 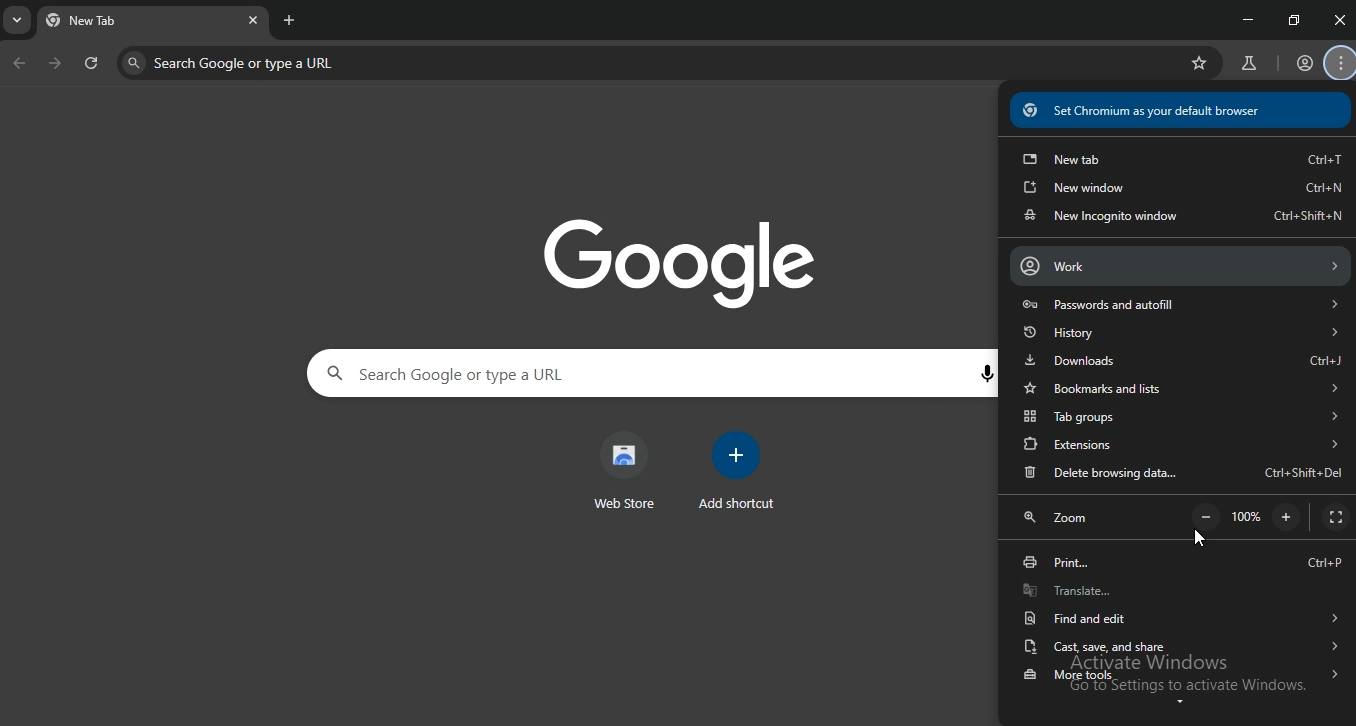 What do you see at coordinates (1247, 519) in the screenshot?
I see `100%` at bounding box center [1247, 519].